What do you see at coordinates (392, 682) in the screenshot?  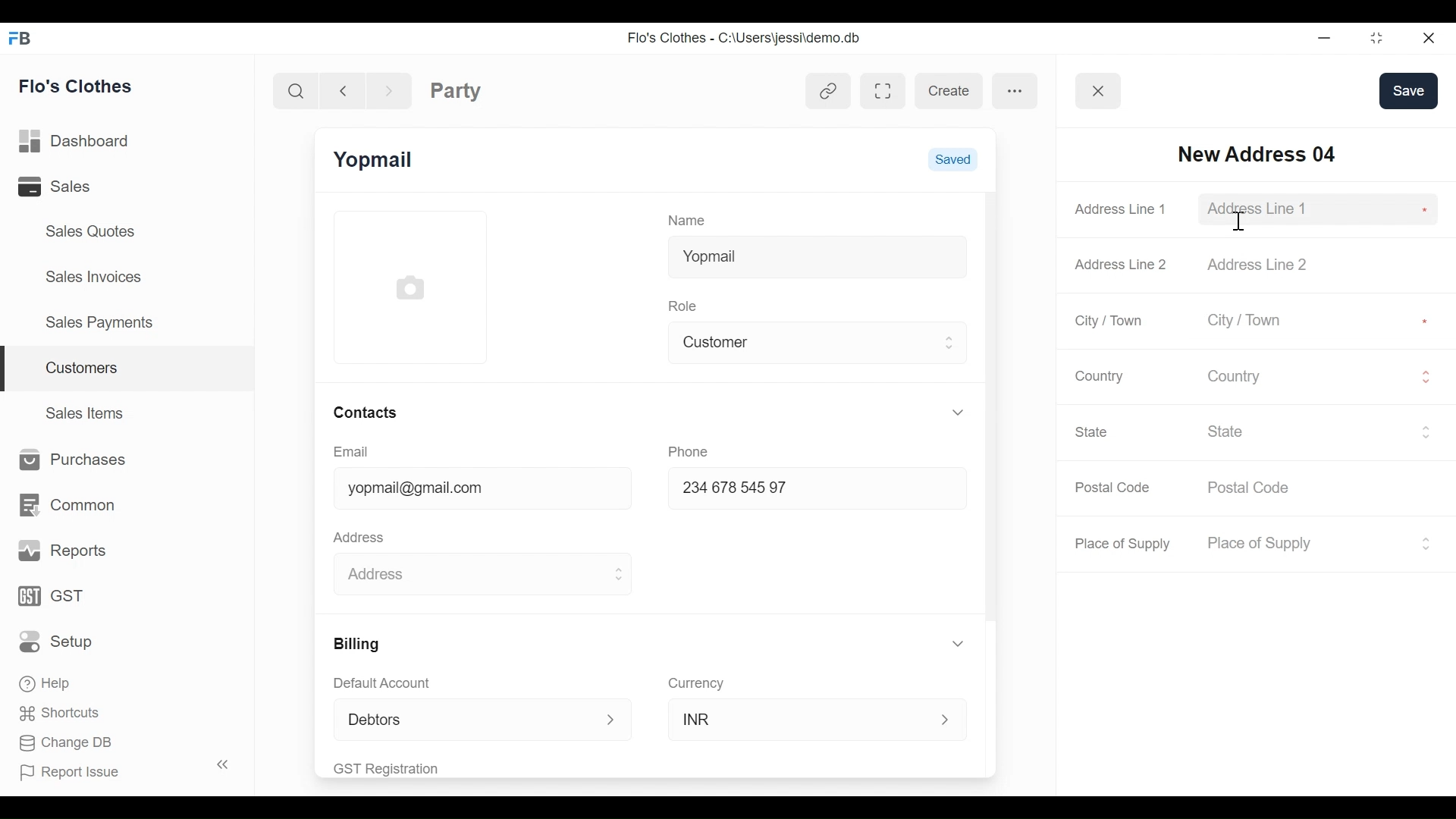 I see `Default Account` at bounding box center [392, 682].